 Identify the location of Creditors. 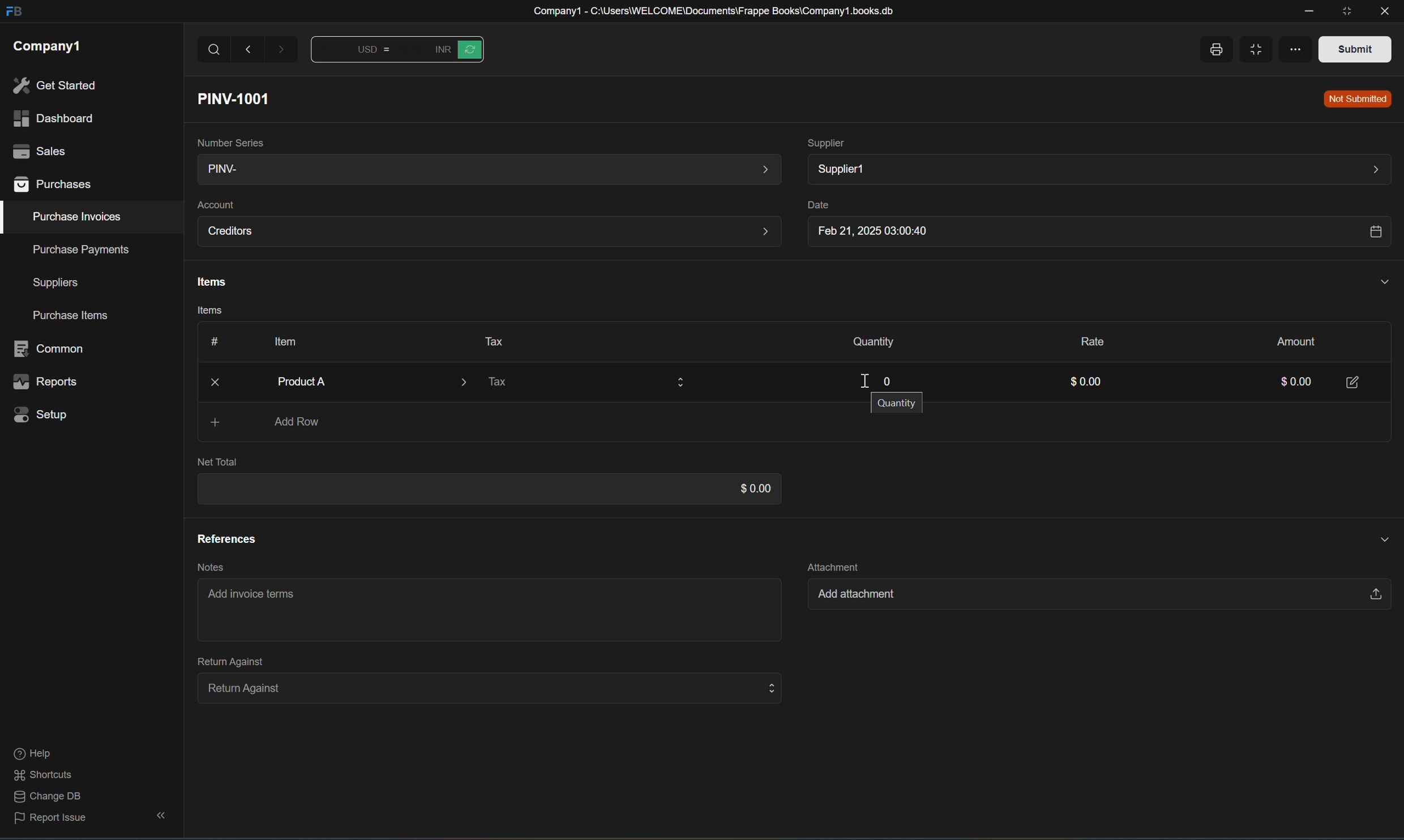
(489, 232).